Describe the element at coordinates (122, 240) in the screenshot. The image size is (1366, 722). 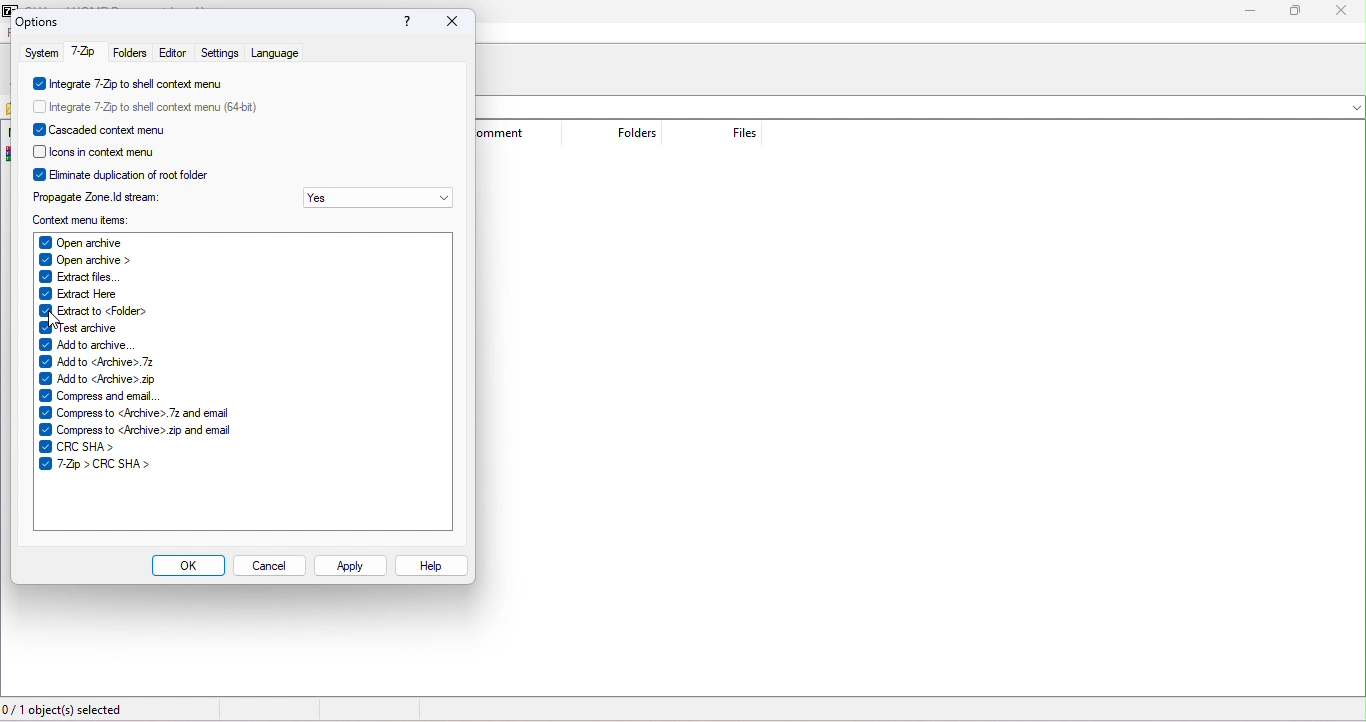
I see `open archive` at that location.